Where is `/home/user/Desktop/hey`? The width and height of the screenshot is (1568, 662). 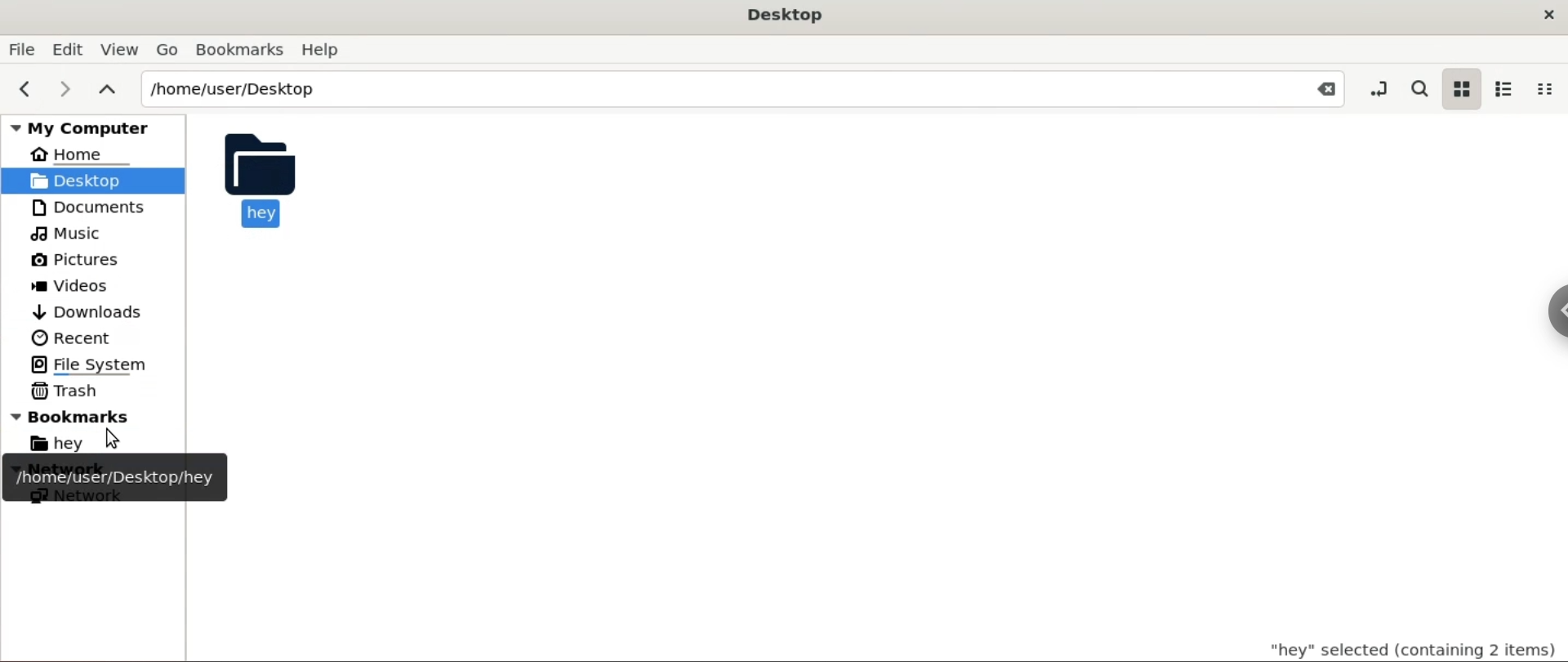
/home/user/Desktop/hey is located at coordinates (114, 477).